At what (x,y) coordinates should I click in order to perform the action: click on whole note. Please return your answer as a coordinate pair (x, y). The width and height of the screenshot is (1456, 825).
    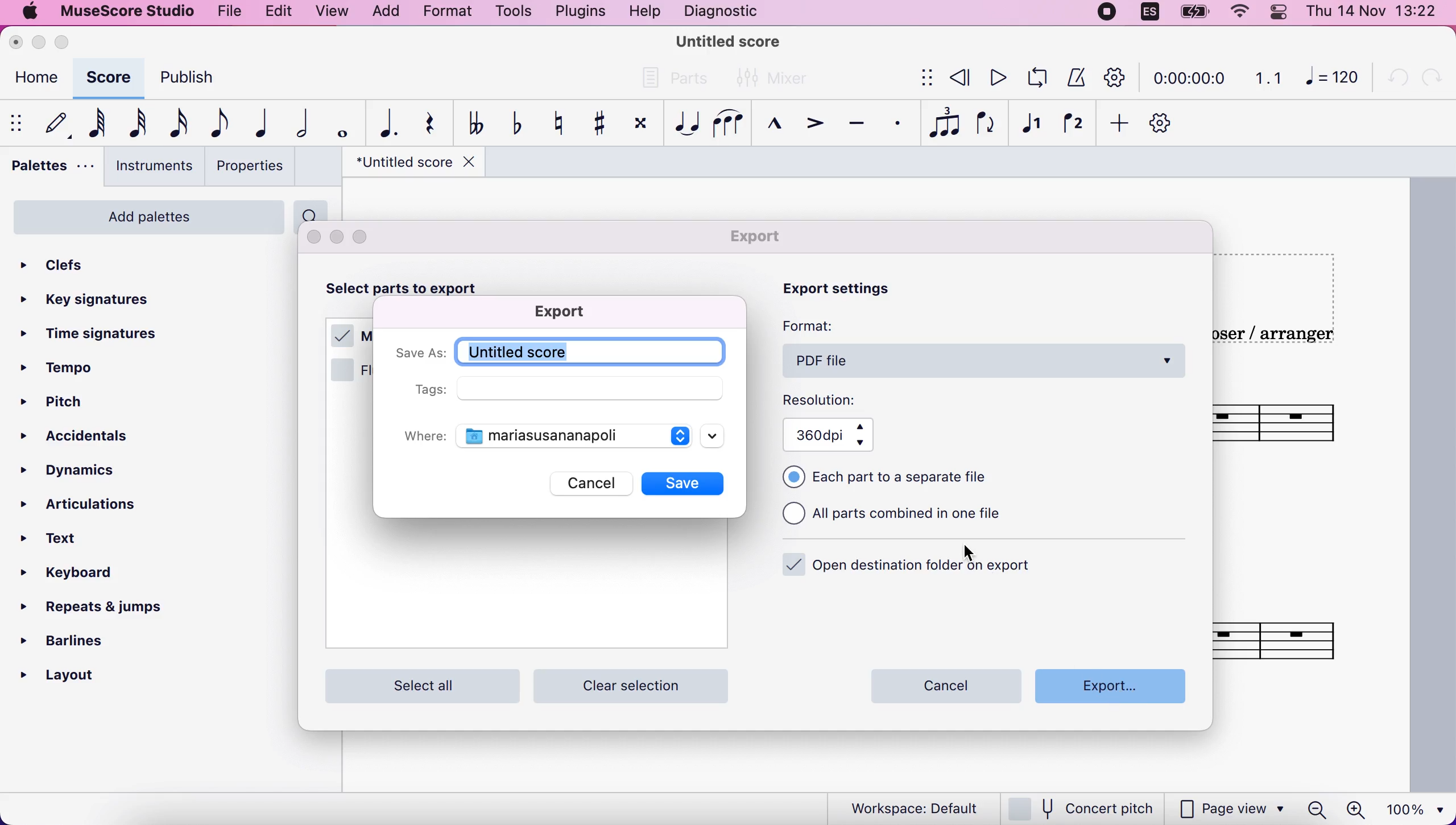
    Looking at the image, I should click on (340, 122).